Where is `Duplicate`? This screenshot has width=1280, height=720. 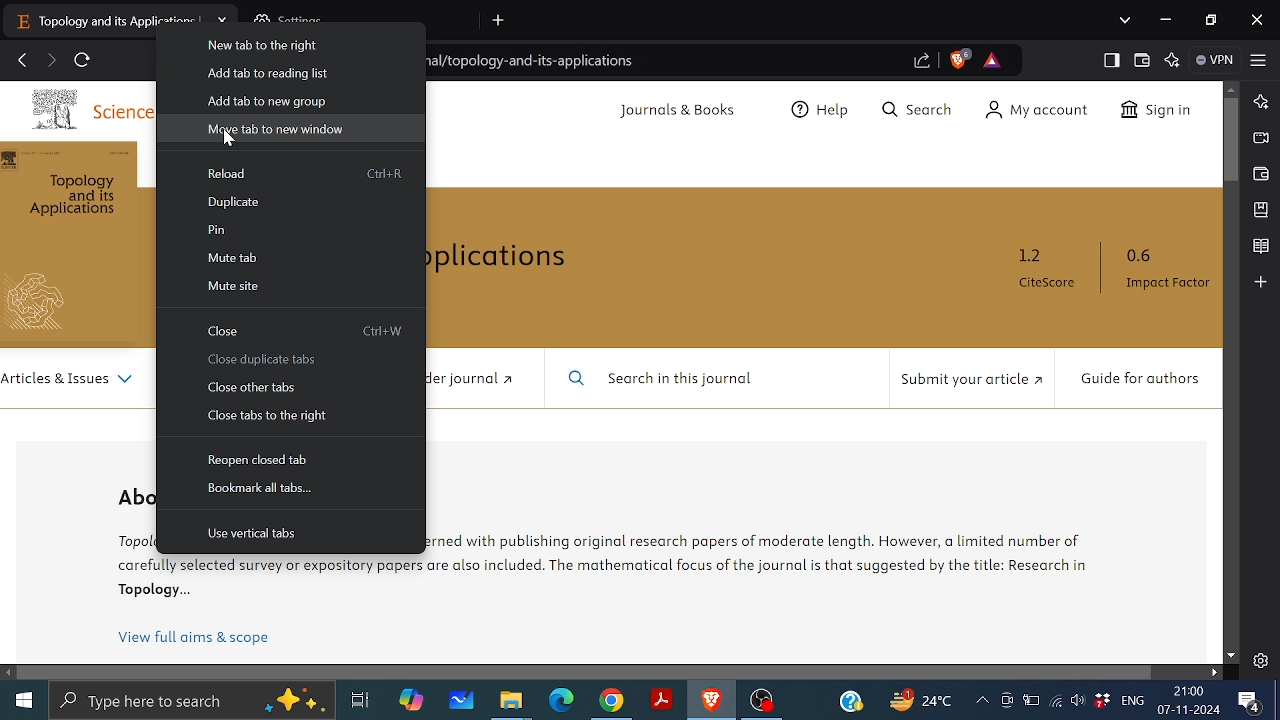 Duplicate is located at coordinates (236, 202).